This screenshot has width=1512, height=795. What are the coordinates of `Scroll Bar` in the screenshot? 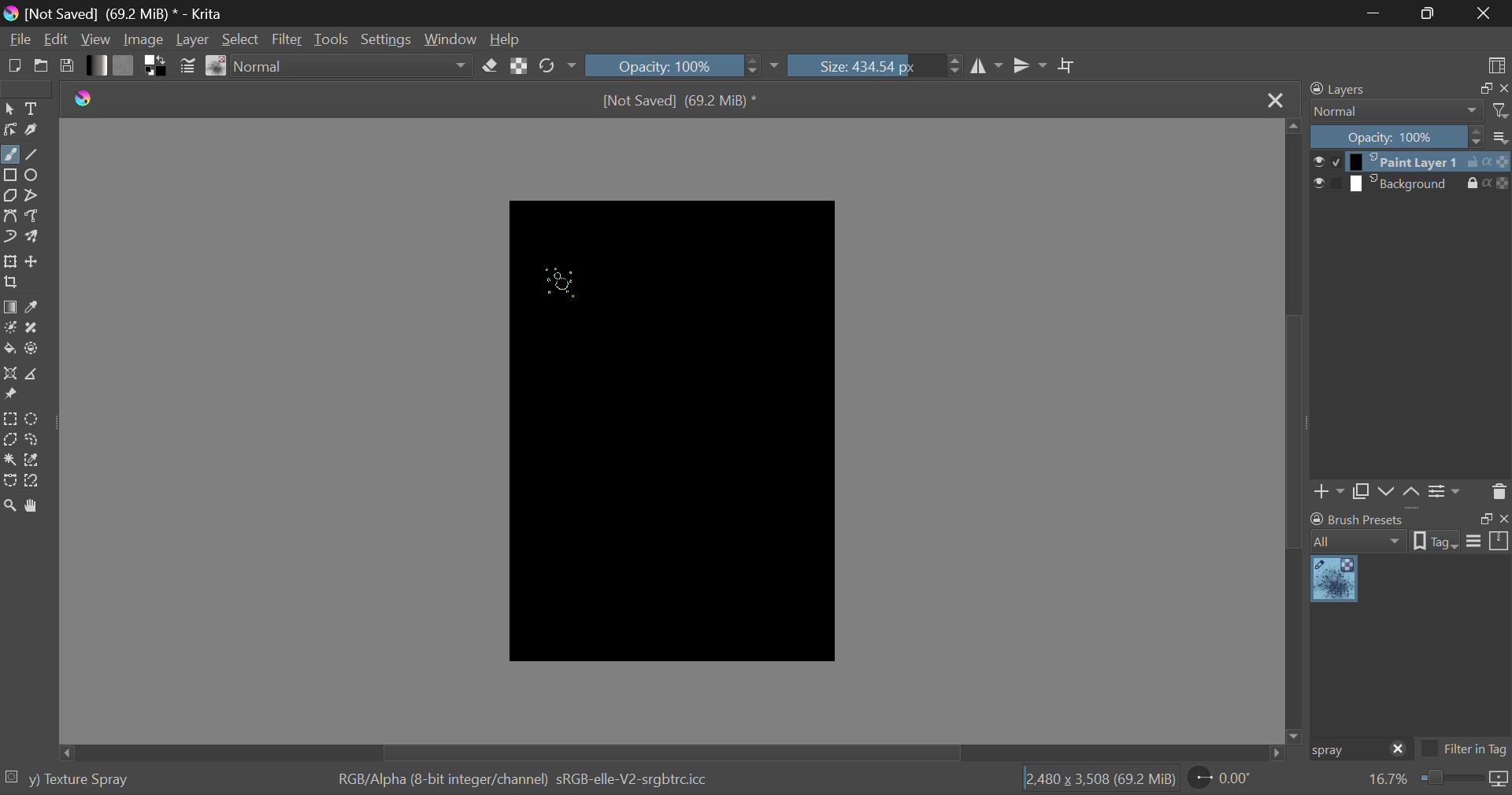 It's located at (1295, 429).